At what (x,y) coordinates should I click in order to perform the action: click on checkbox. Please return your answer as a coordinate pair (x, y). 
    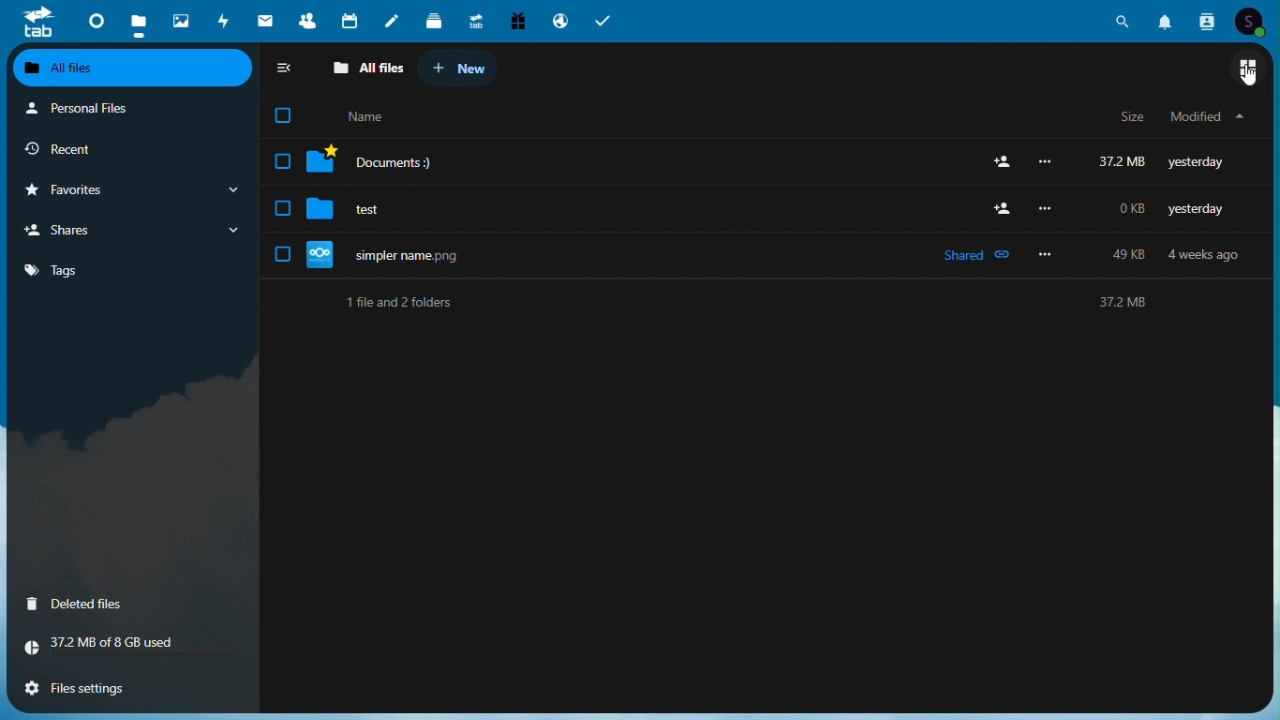
    Looking at the image, I should click on (291, 116).